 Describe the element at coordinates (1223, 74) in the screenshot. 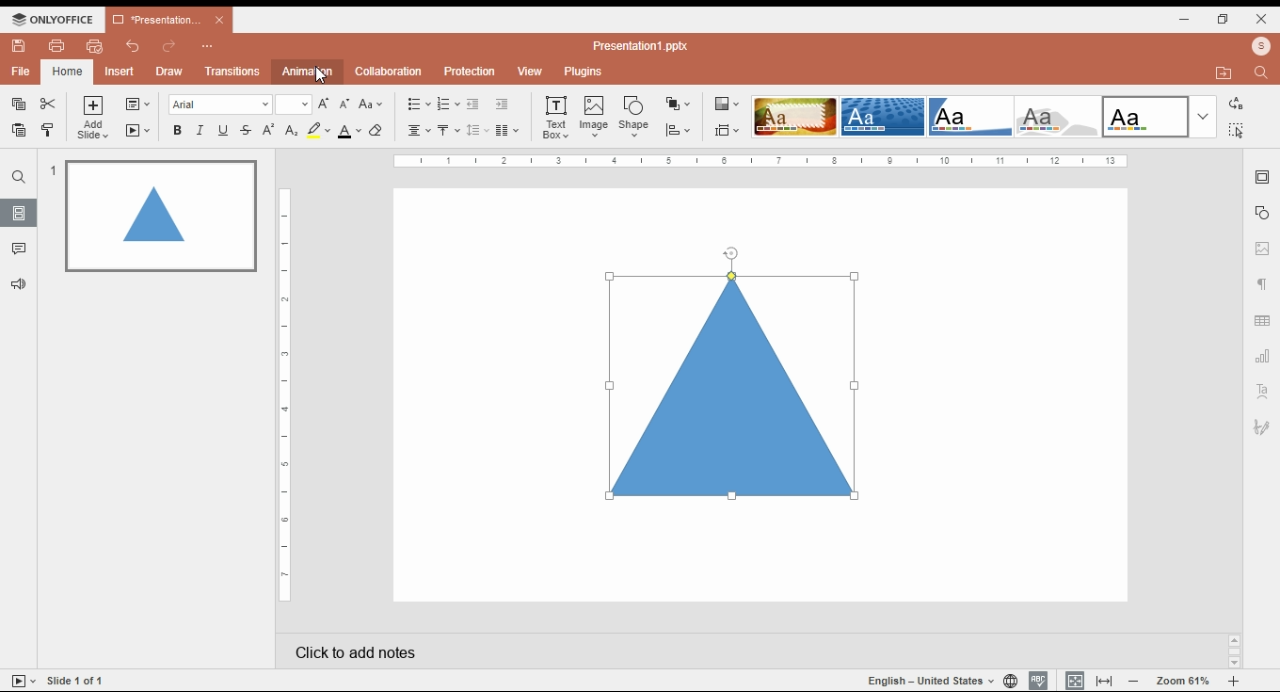

I see `open file location` at that location.